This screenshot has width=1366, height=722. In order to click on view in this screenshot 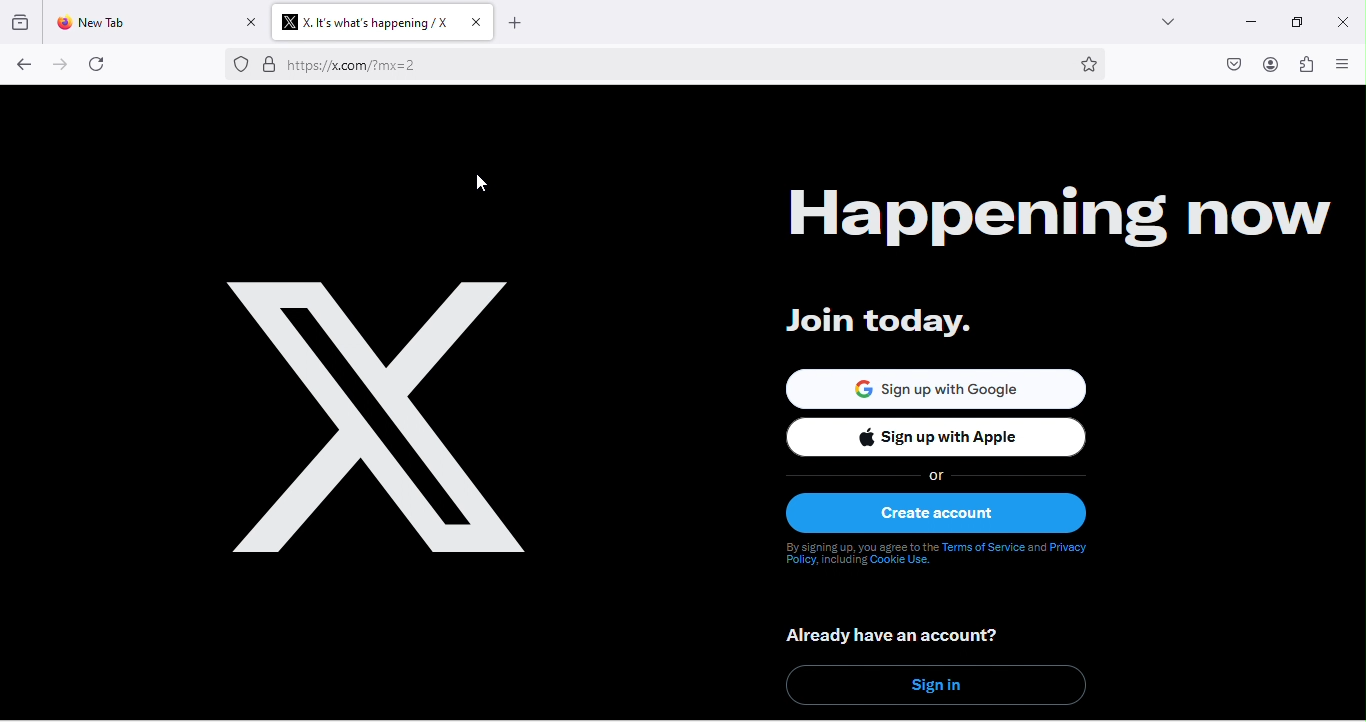, I will do `click(1346, 67)`.